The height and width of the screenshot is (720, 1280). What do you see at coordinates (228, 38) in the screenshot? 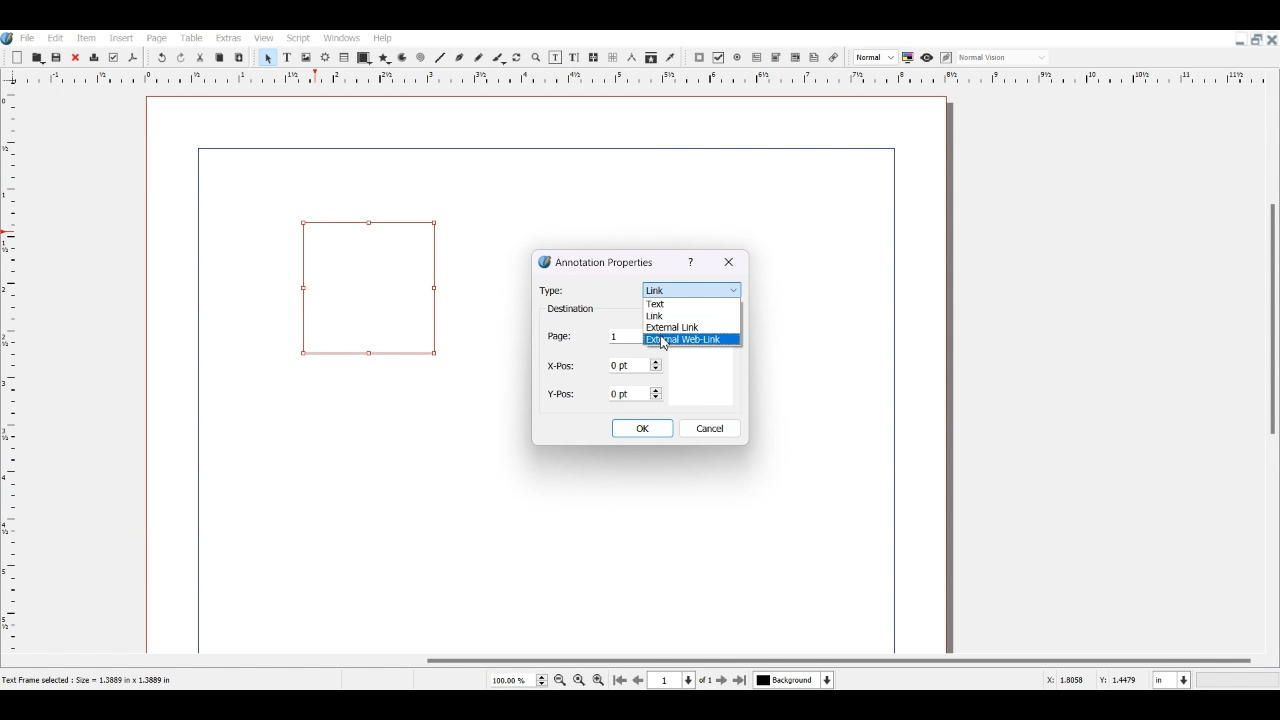
I see `Extras` at bounding box center [228, 38].